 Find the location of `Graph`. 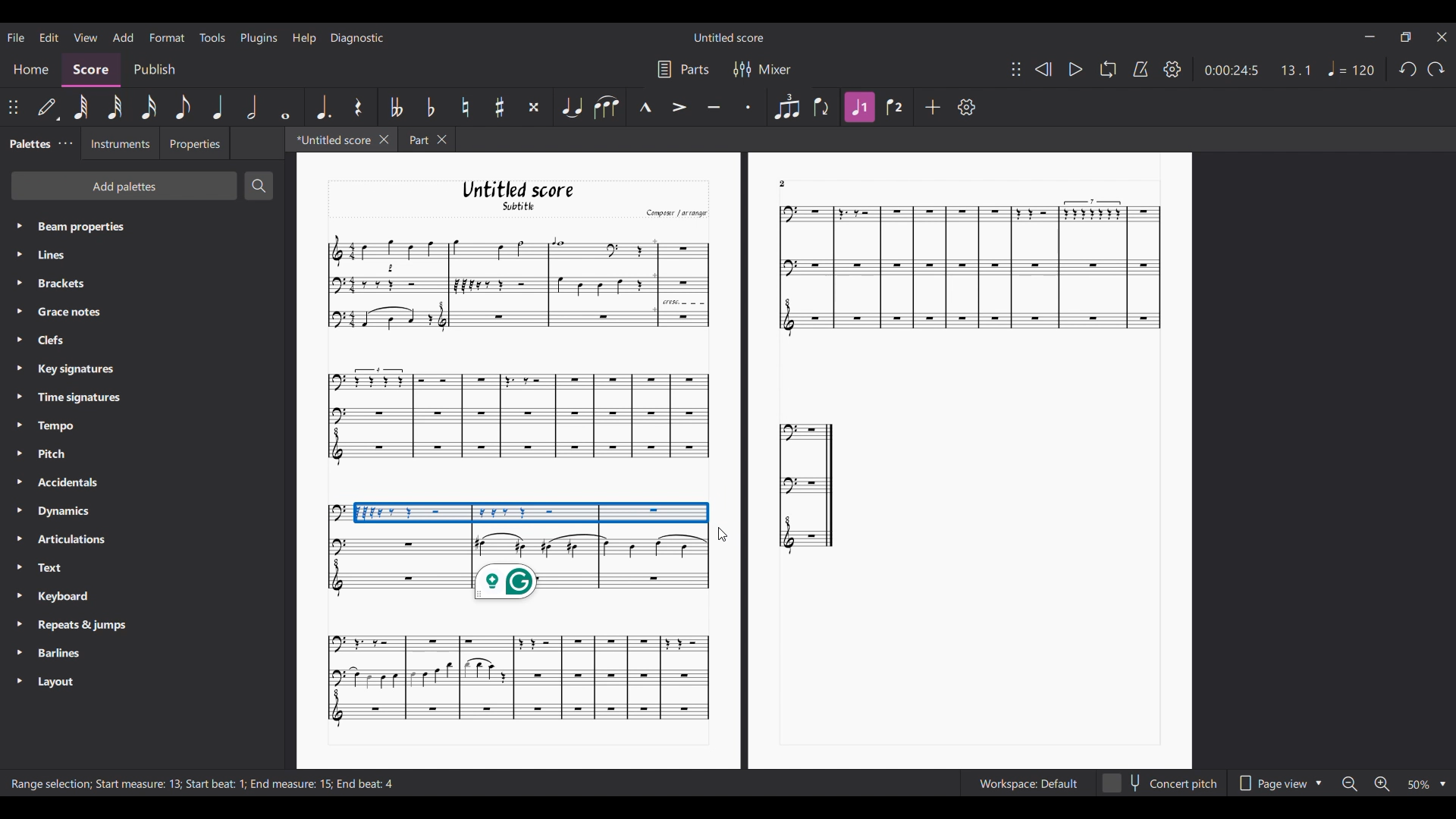

Graph is located at coordinates (516, 679).